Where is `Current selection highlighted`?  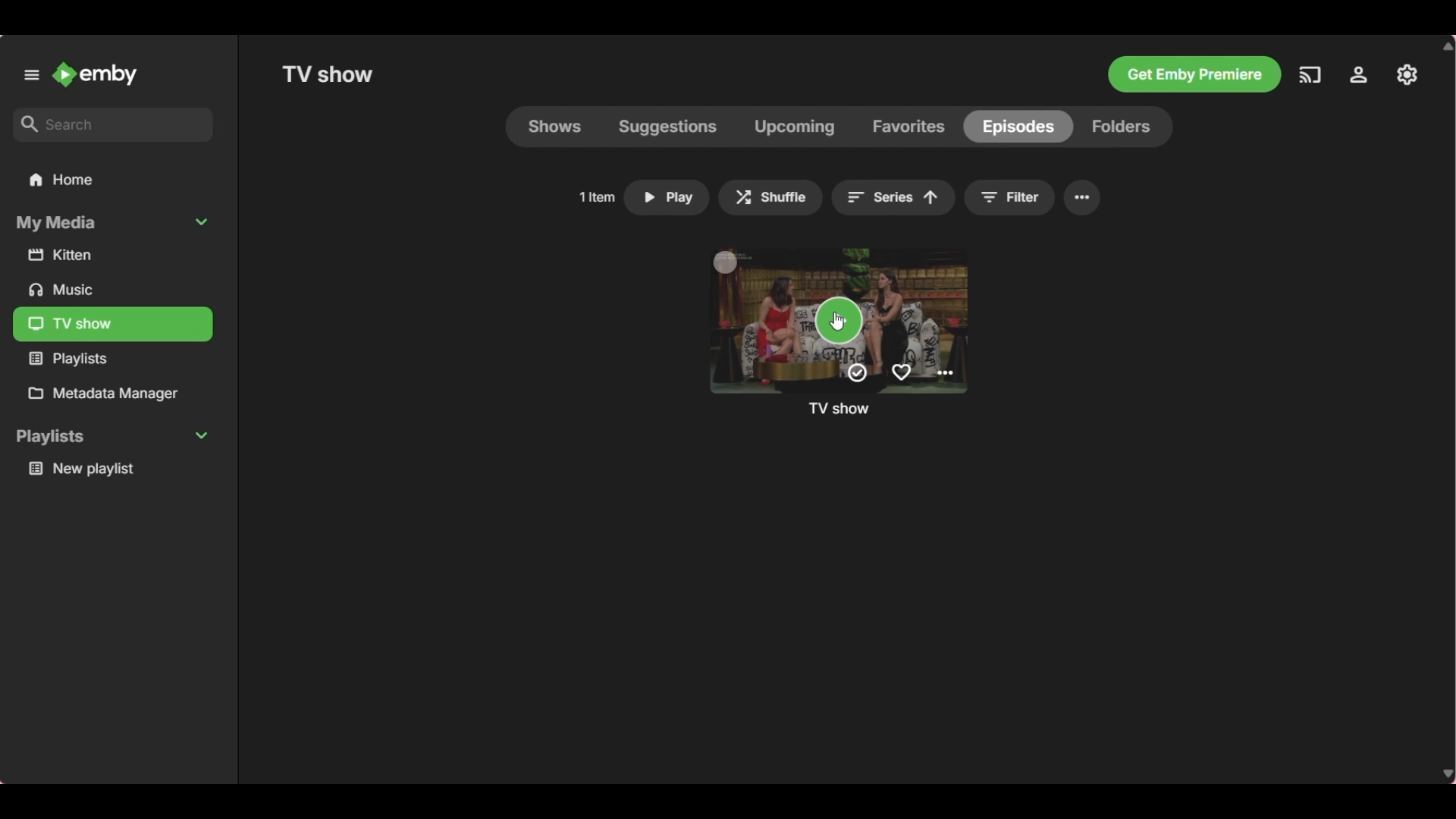 Current selection highlighted is located at coordinates (1017, 127).